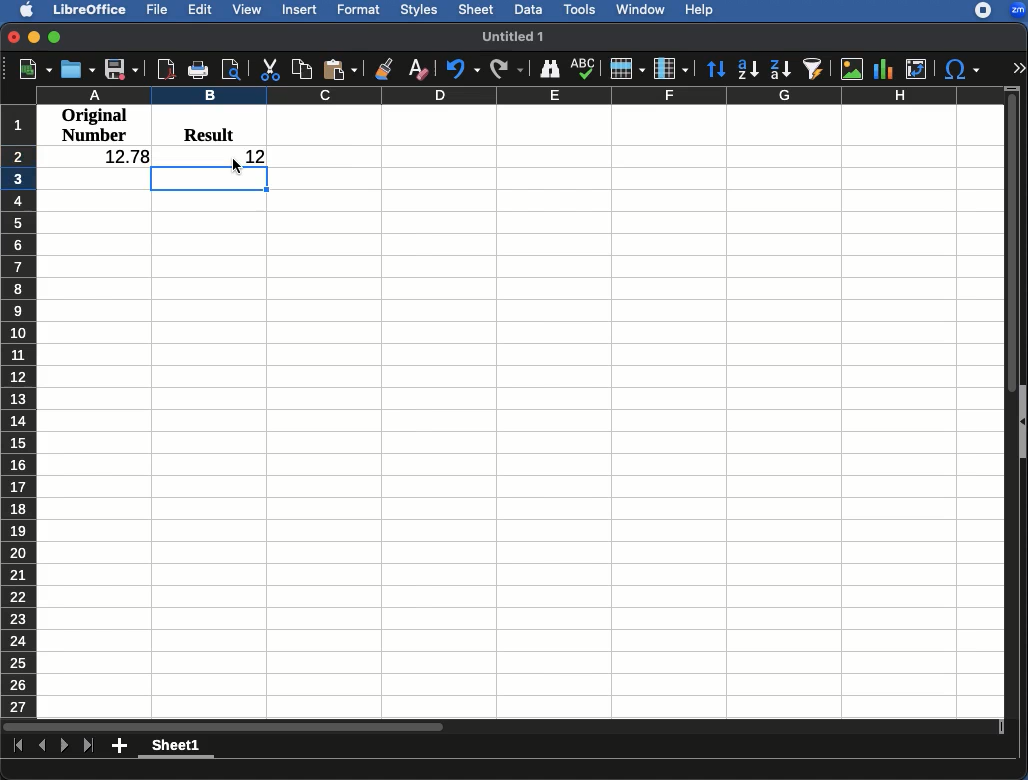 The width and height of the screenshot is (1028, 780). Describe the element at coordinates (177, 747) in the screenshot. I see `Sheet 1` at that location.